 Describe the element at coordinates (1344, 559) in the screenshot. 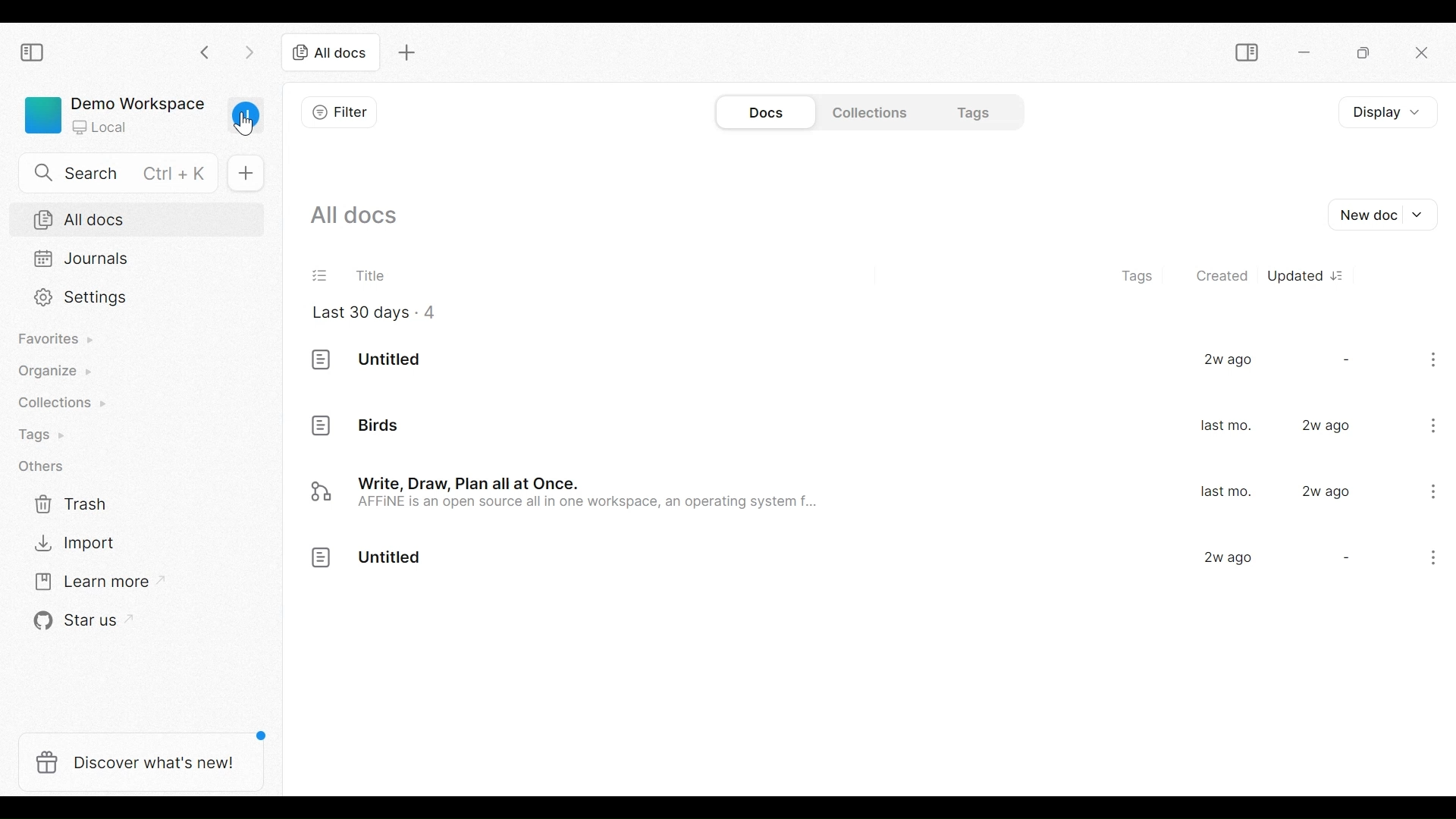

I see `-` at that location.